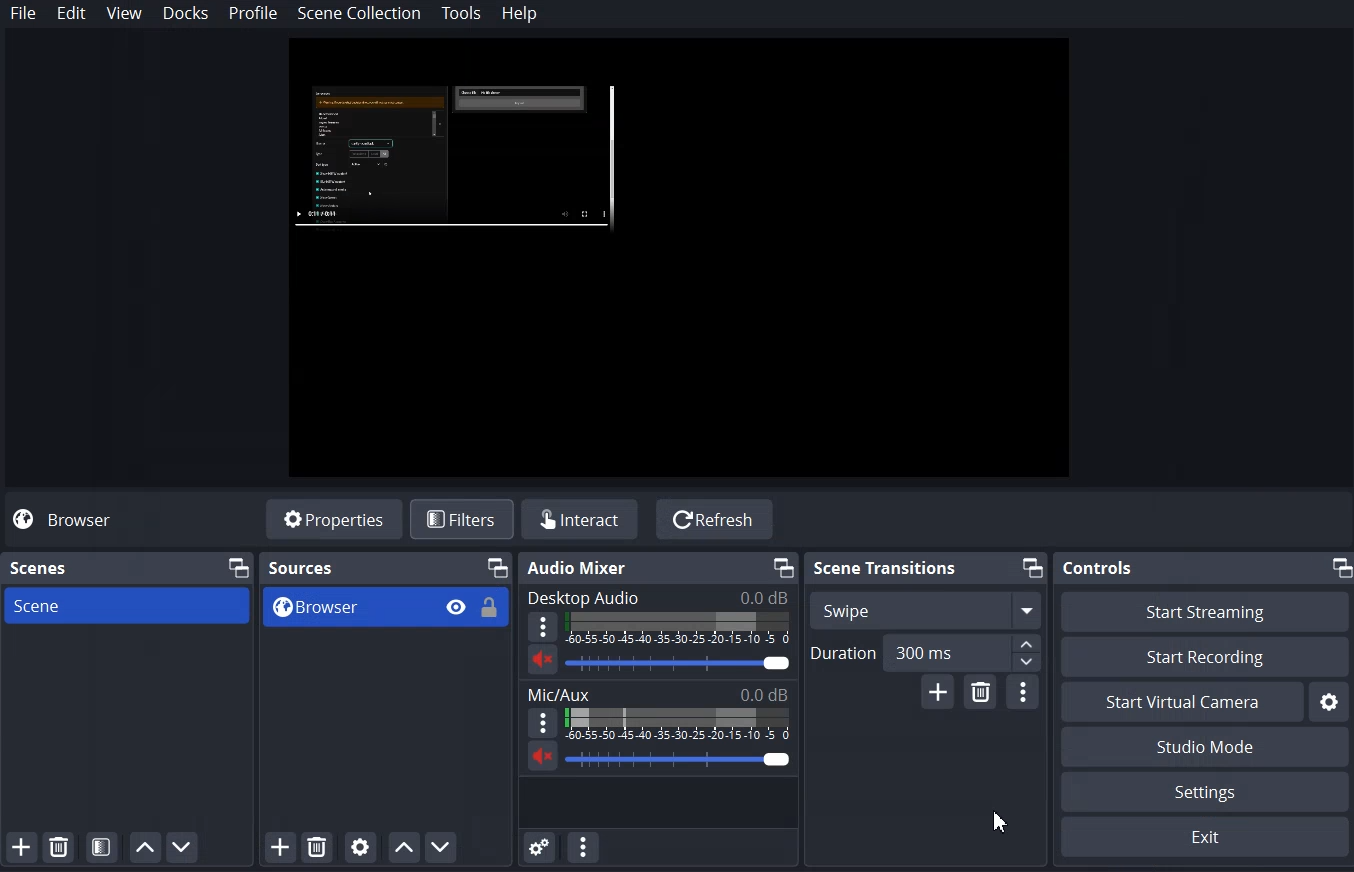 This screenshot has width=1354, height=872. I want to click on Docks, so click(185, 13).